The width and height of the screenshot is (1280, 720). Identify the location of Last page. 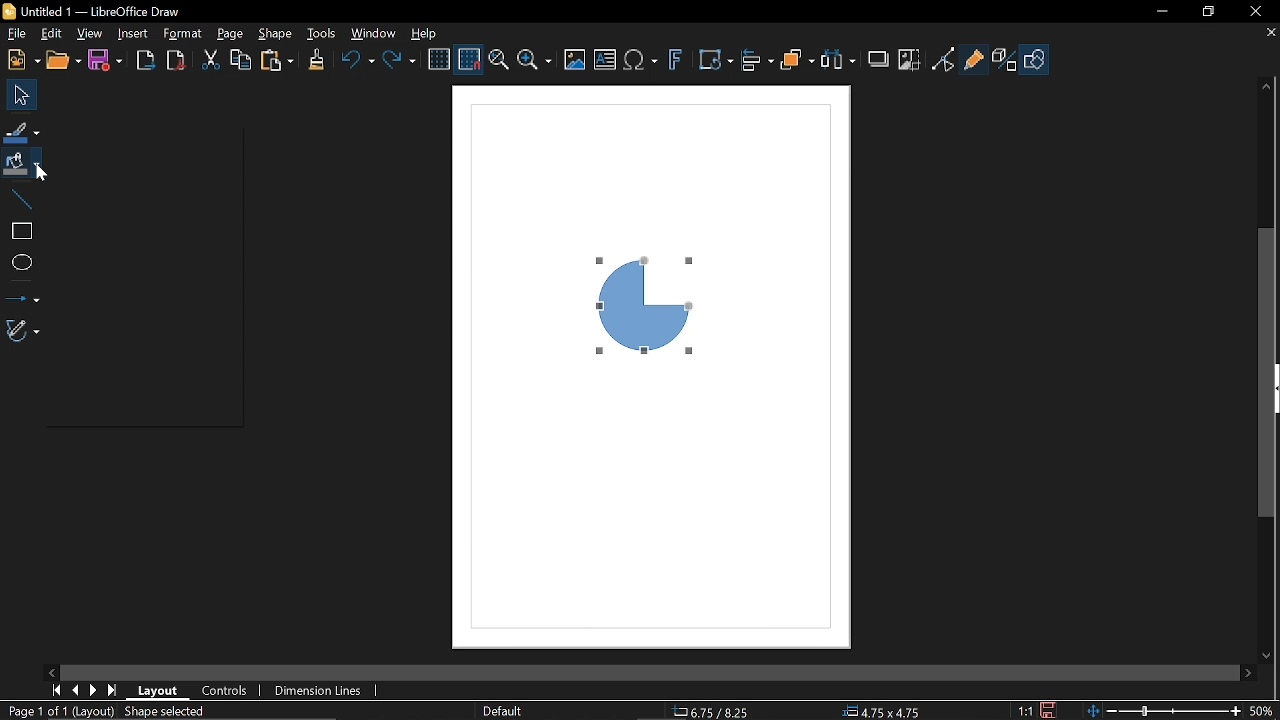
(115, 689).